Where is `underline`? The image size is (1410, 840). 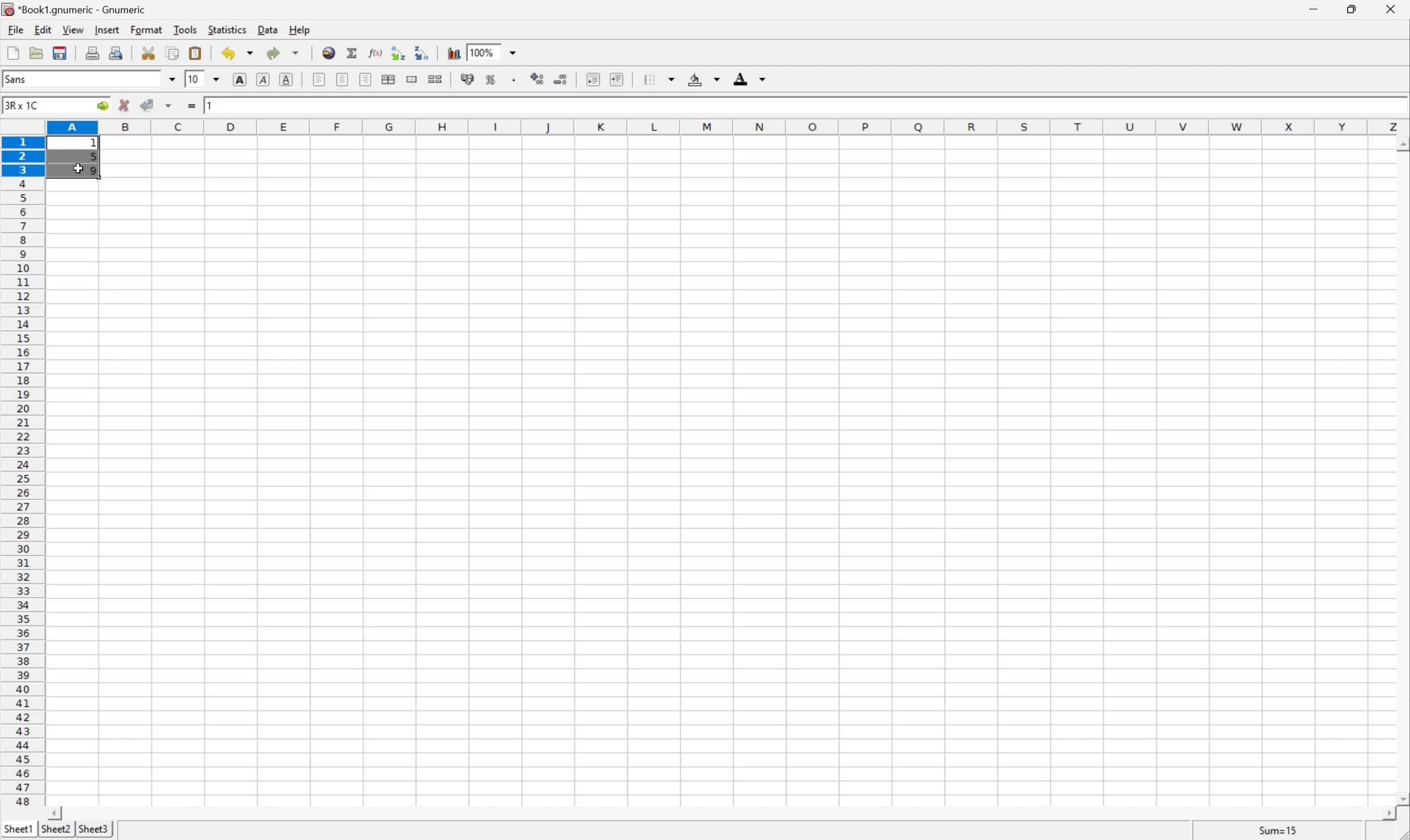 underline is located at coordinates (288, 80).